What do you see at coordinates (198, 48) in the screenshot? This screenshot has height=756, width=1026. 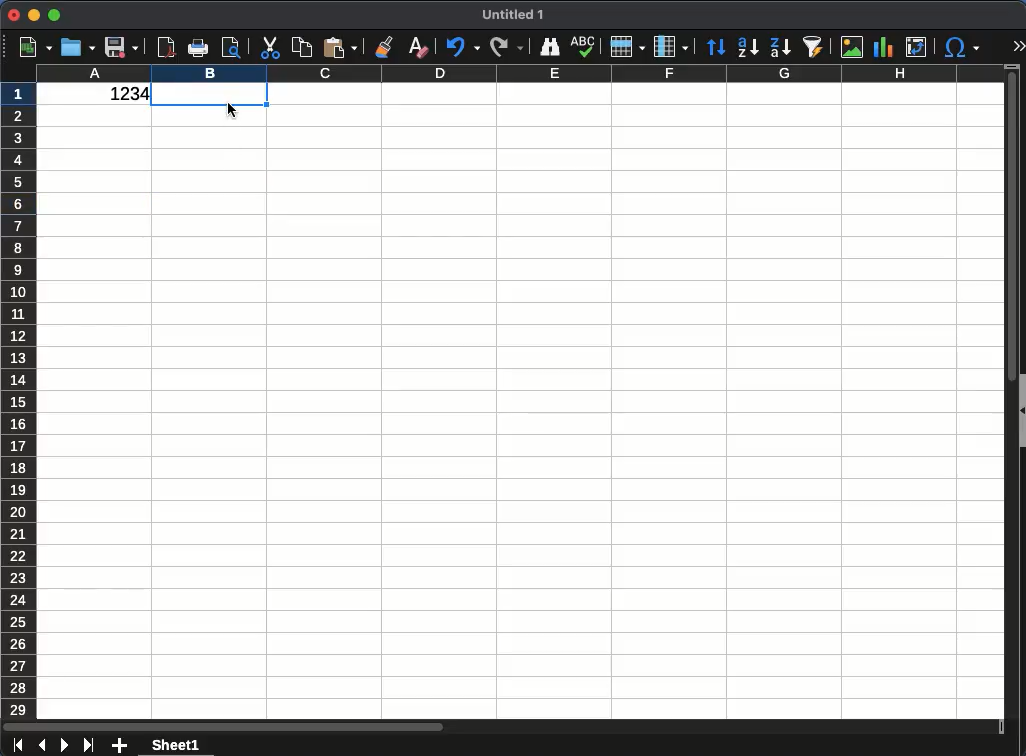 I see `print` at bounding box center [198, 48].